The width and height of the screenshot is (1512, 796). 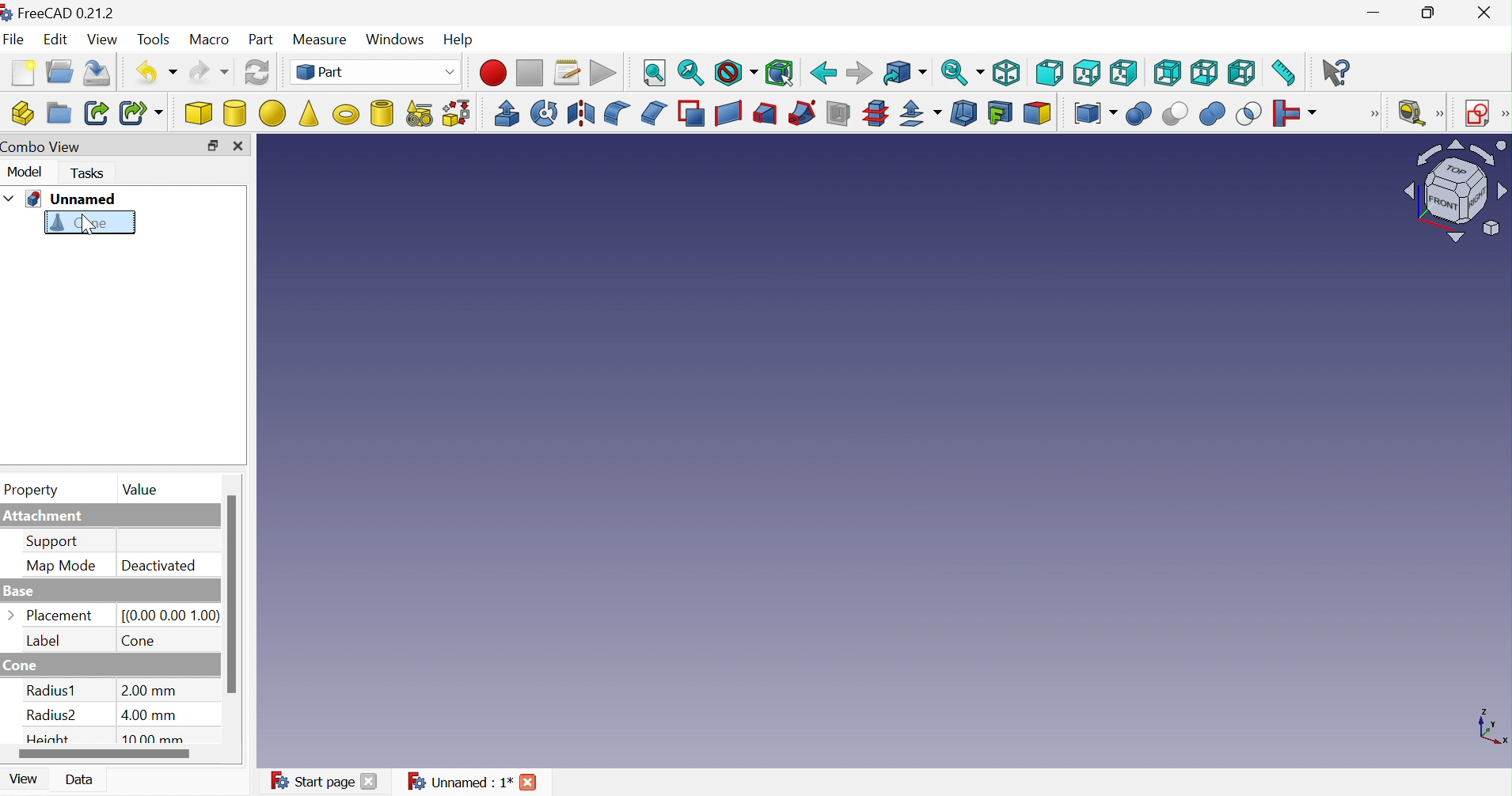 What do you see at coordinates (1298, 115) in the screenshot?
I see `Join objects` at bounding box center [1298, 115].